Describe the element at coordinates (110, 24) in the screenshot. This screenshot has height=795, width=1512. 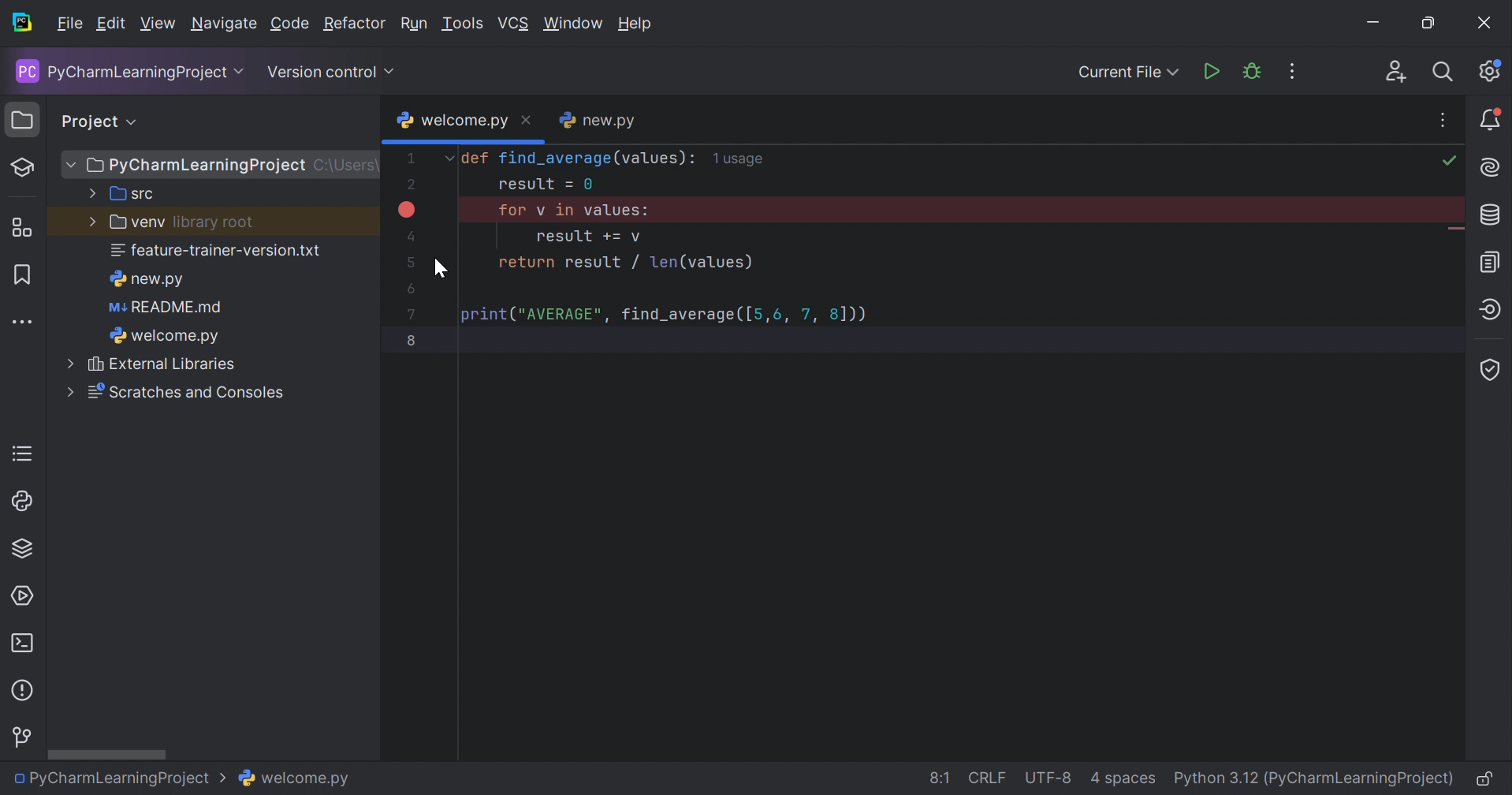
I see `Edit` at that location.